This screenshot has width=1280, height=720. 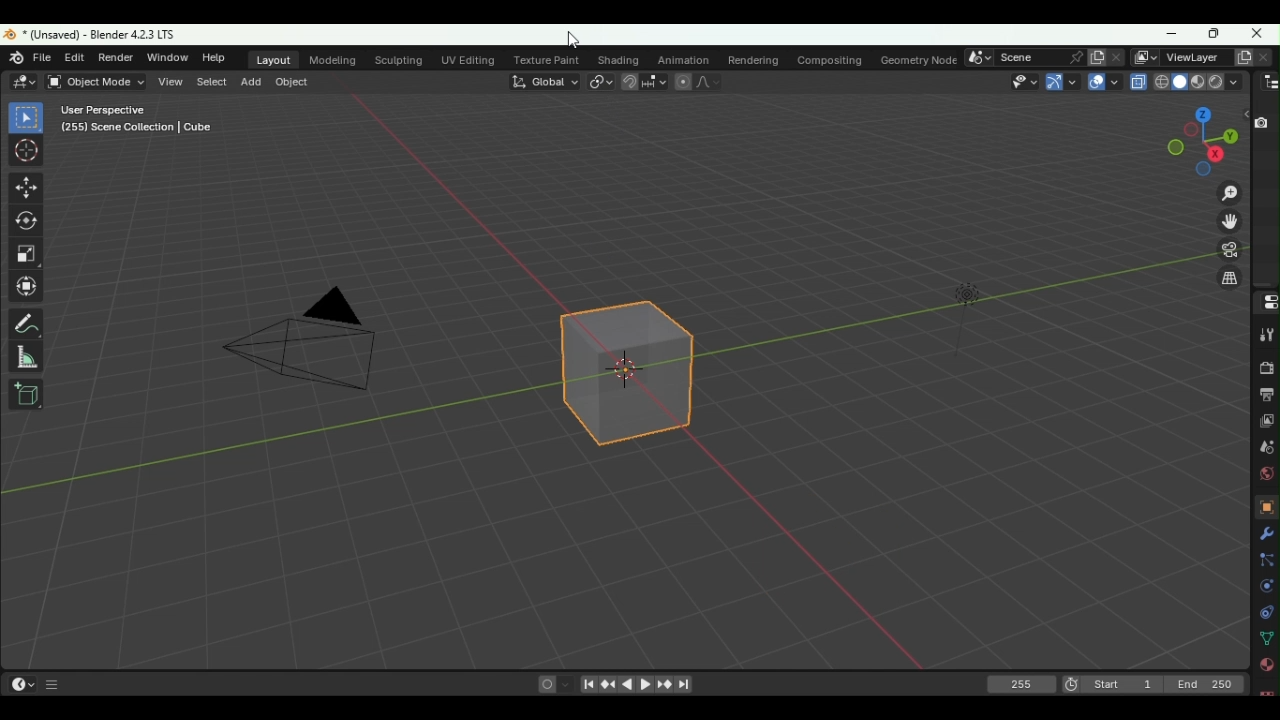 What do you see at coordinates (114, 57) in the screenshot?
I see `Render` at bounding box center [114, 57].